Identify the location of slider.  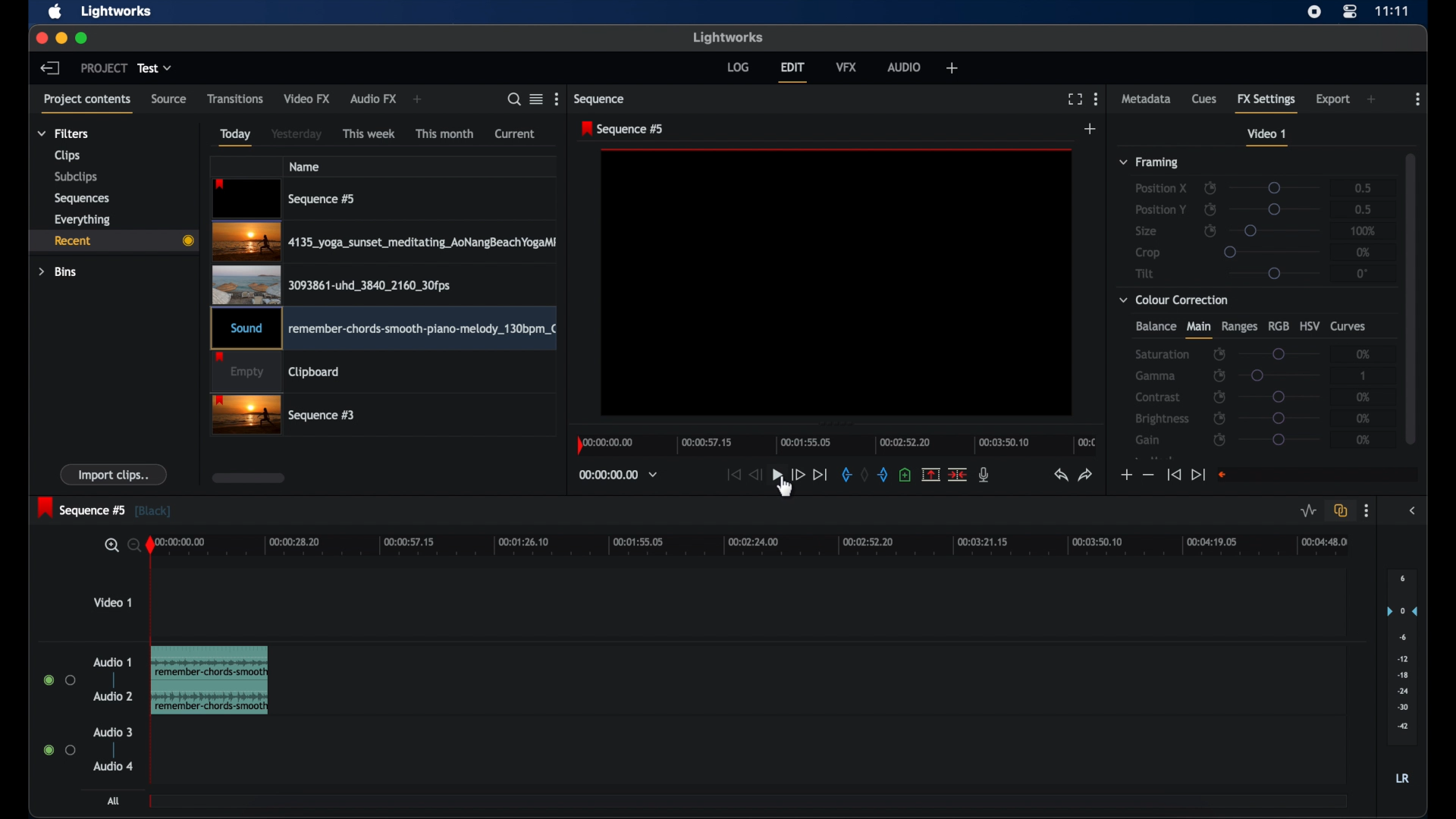
(1279, 397).